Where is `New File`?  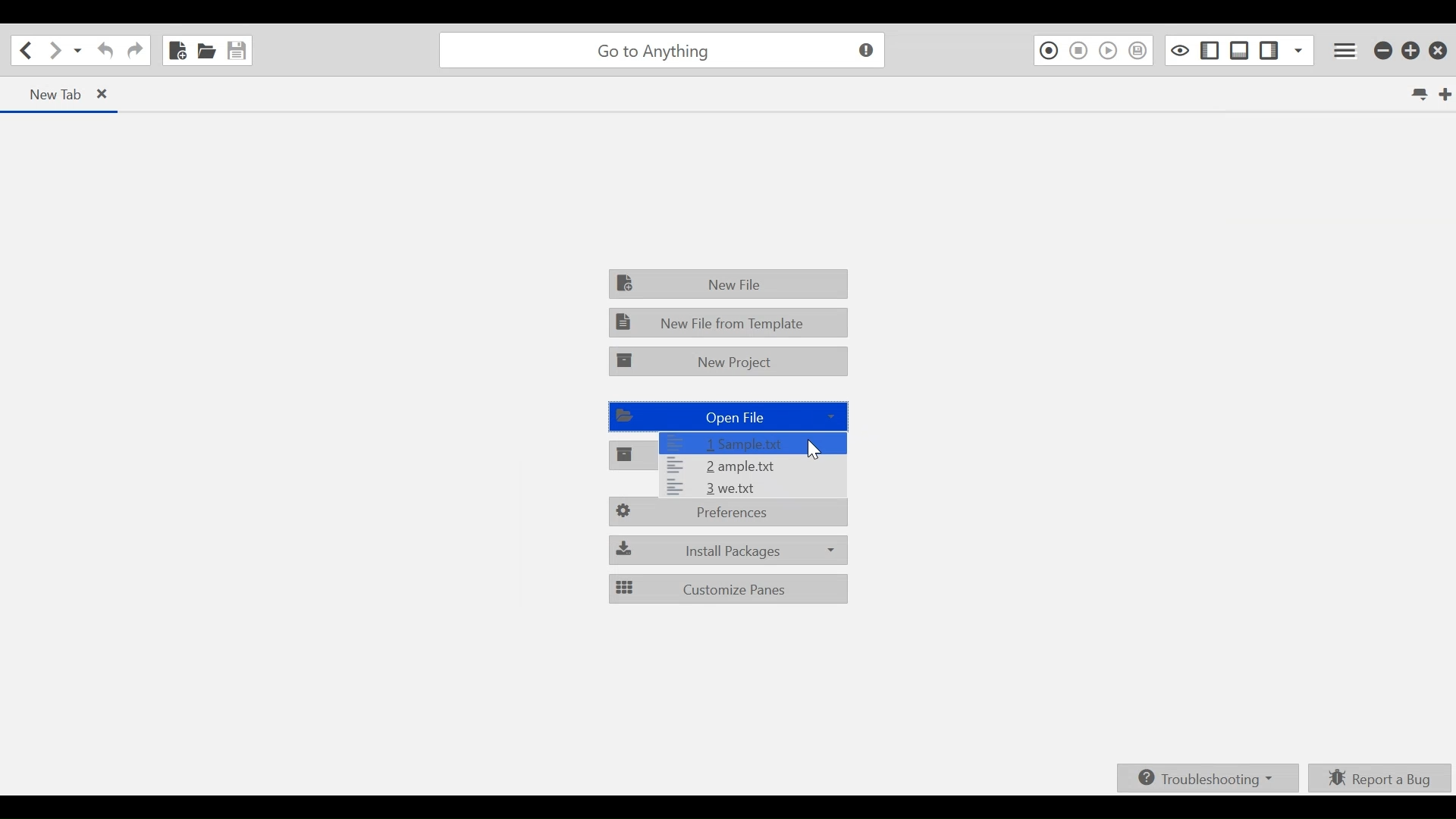
New File is located at coordinates (731, 285).